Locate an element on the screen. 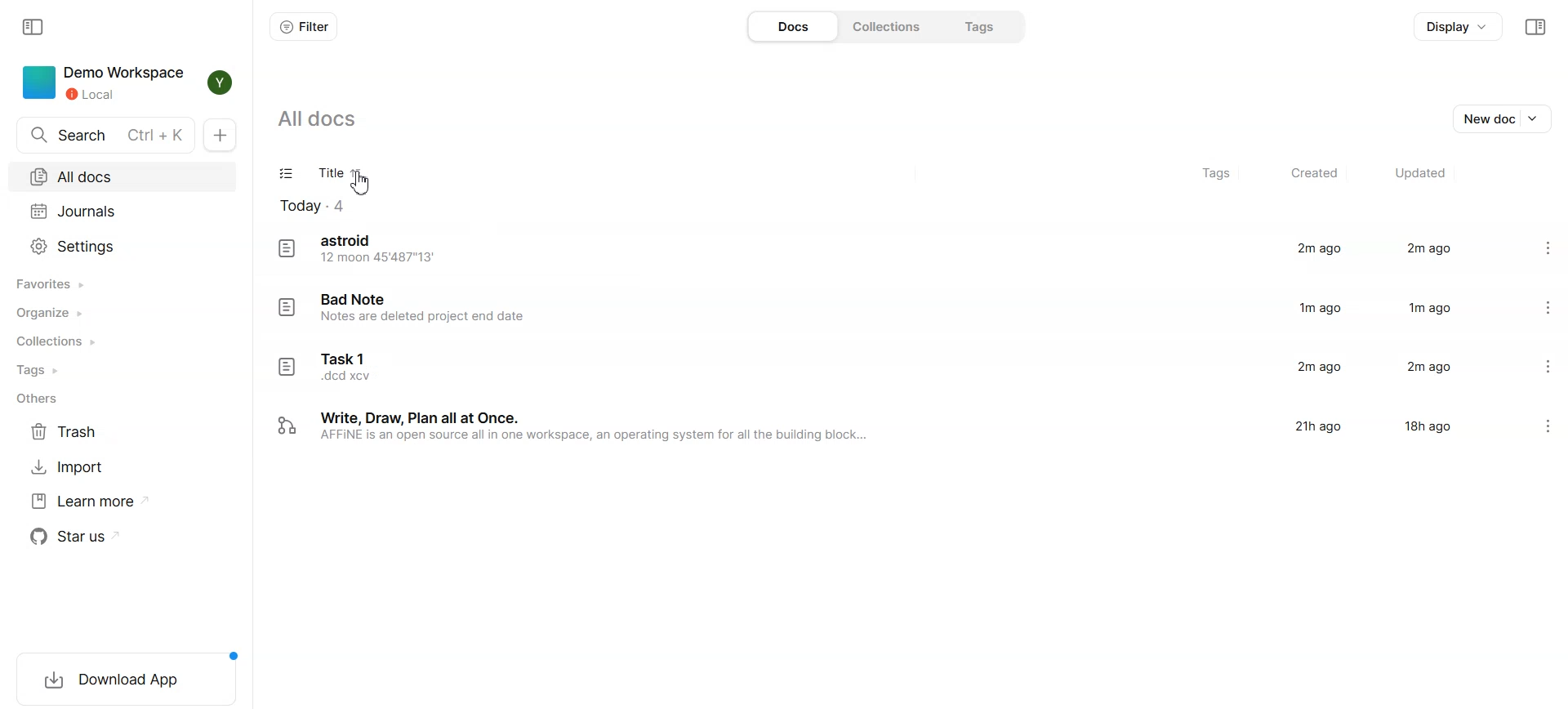 This screenshot has height=709, width=1568. logo is located at coordinates (287, 308).